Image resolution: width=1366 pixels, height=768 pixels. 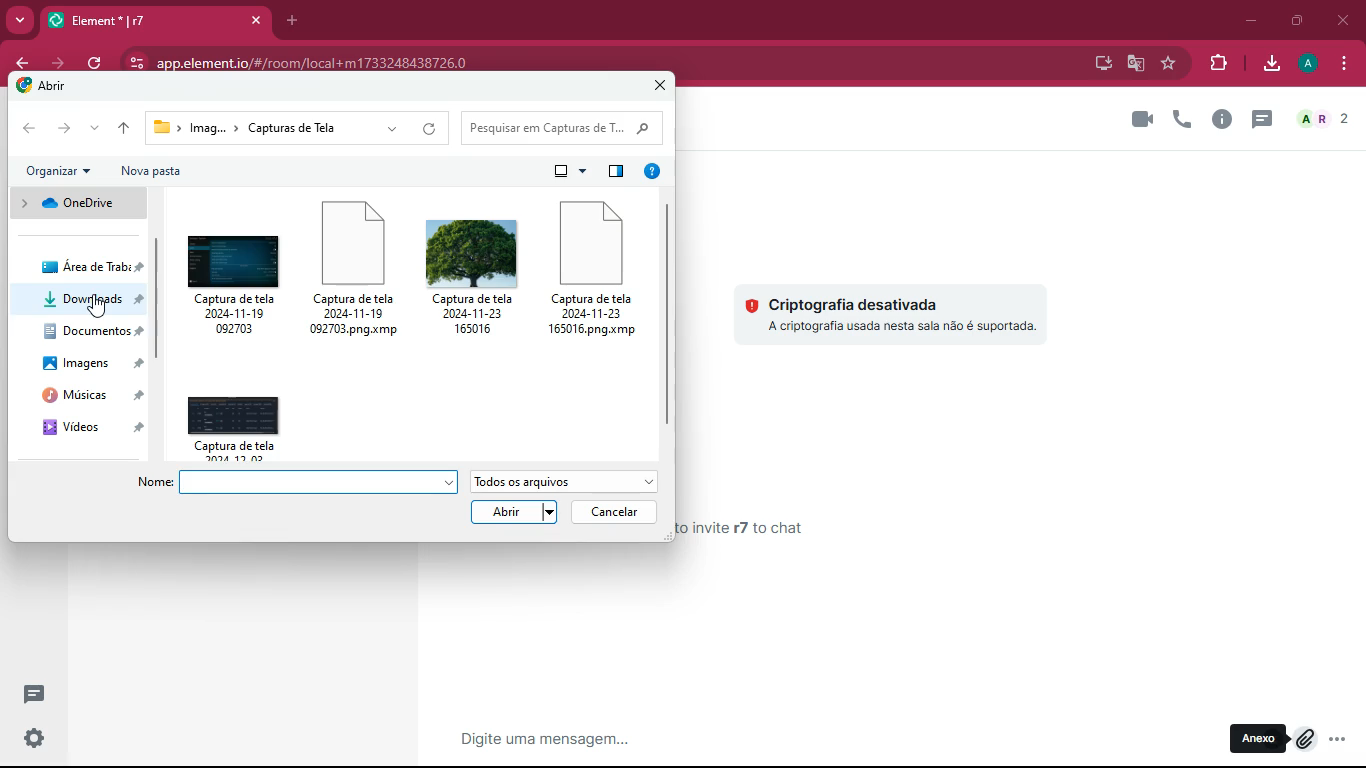 I want to click on musics, so click(x=92, y=396).